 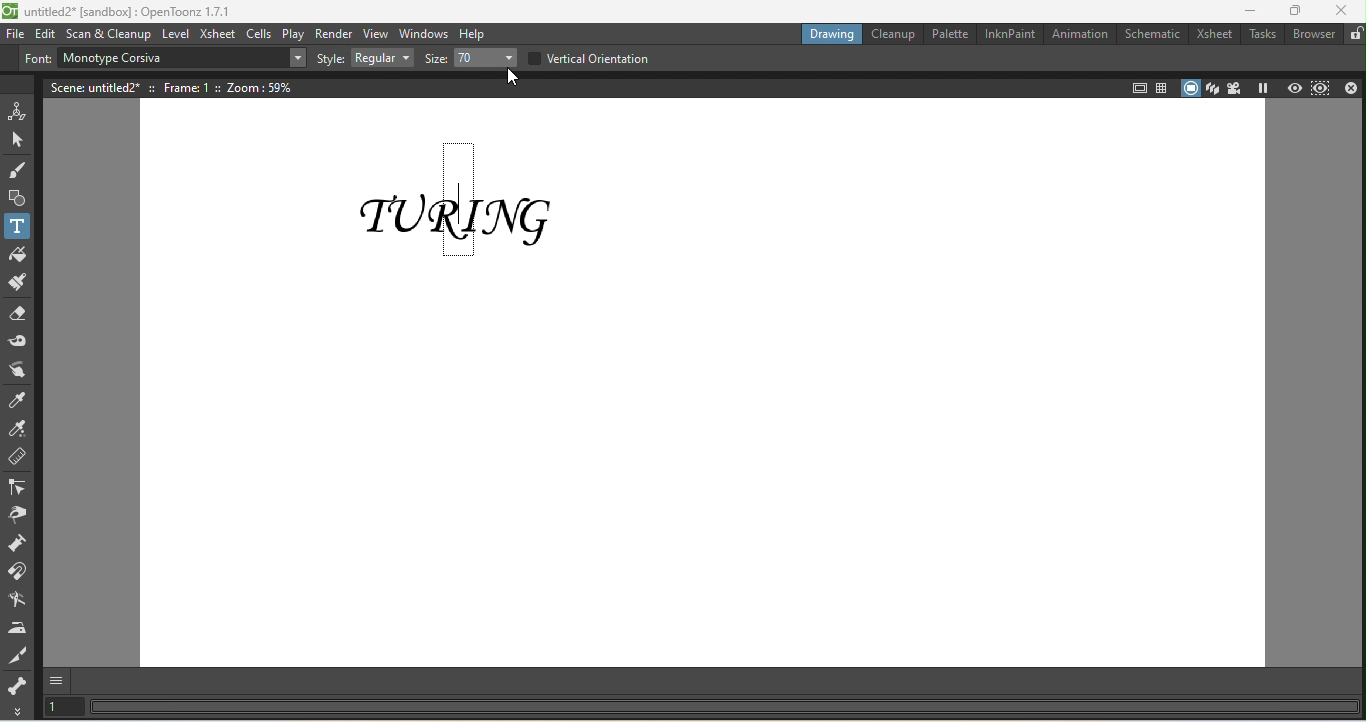 What do you see at coordinates (382, 60) in the screenshot?
I see `Drop down` at bounding box center [382, 60].